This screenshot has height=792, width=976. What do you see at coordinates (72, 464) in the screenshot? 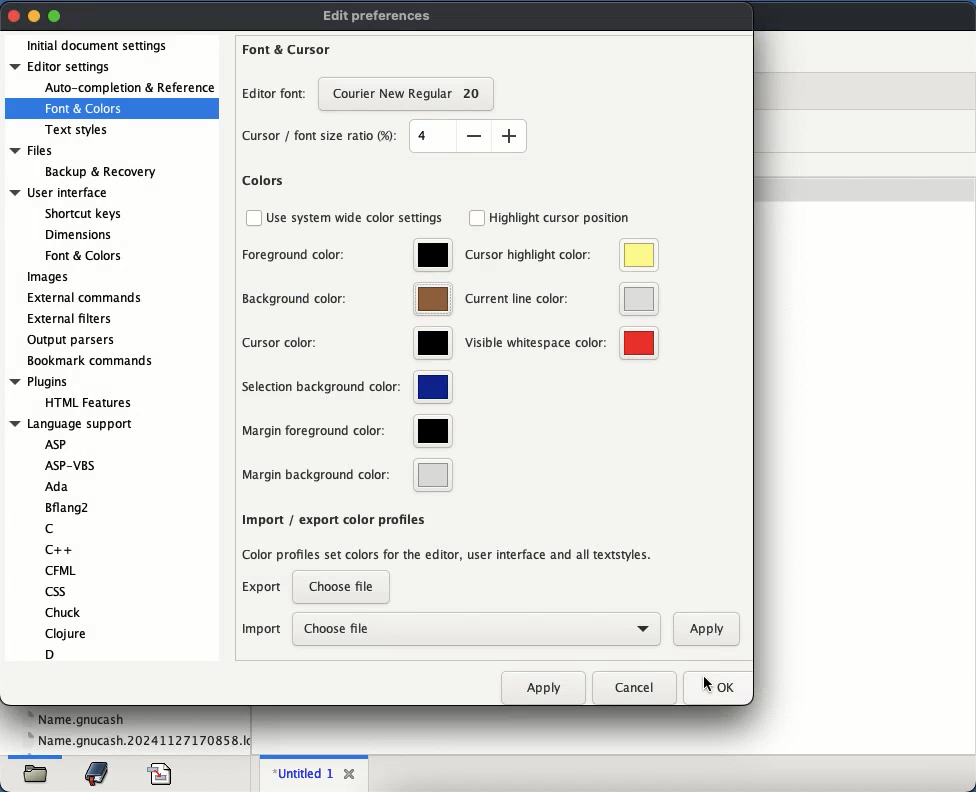
I see `ASP-VBS` at bounding box center [72, 464].